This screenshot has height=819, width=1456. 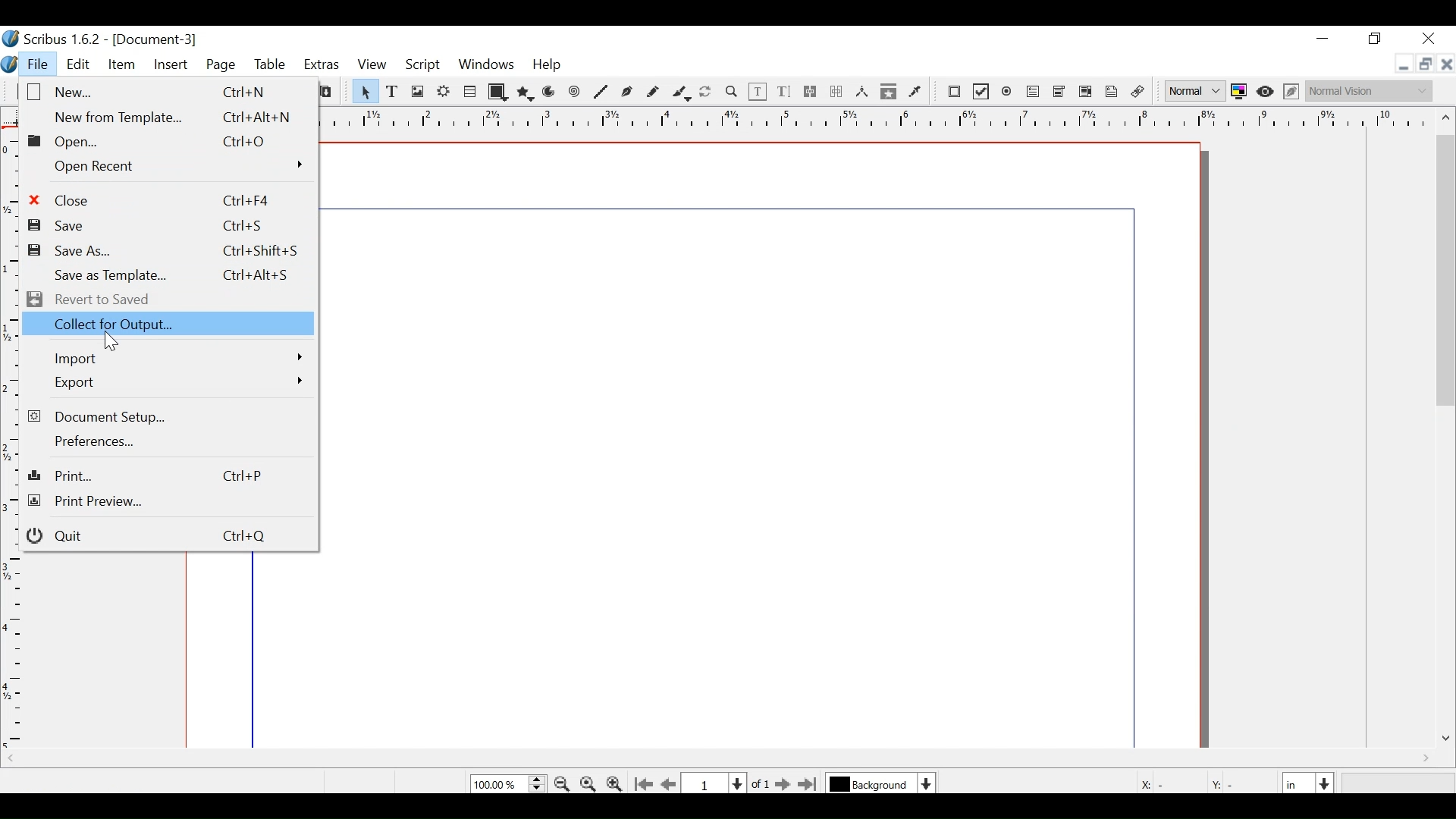 I want to click on Image frame, so click(x=416, y=91).